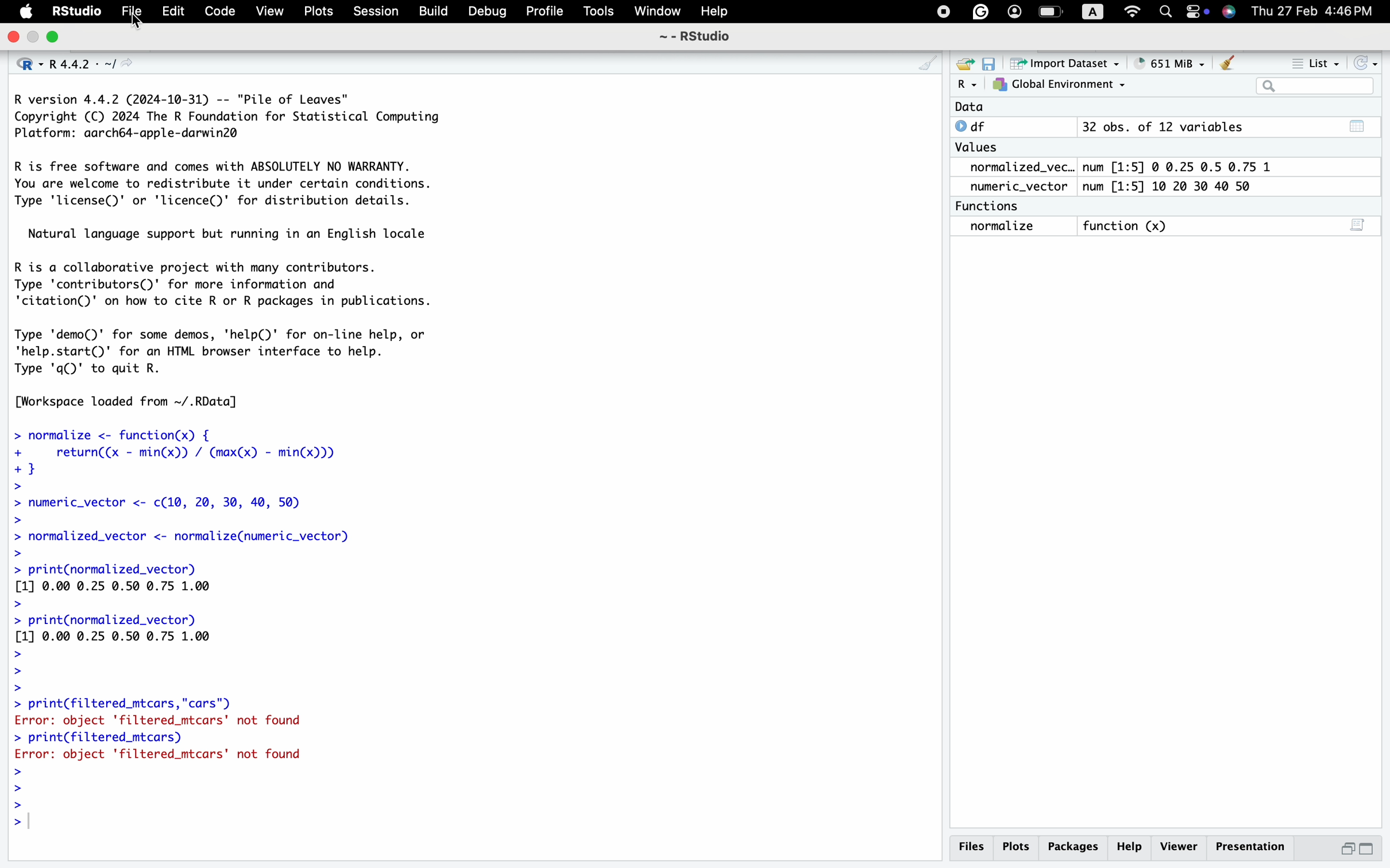  Describe the element at coordinates (939, 13) in the screenshot. I see `pause` at that location.